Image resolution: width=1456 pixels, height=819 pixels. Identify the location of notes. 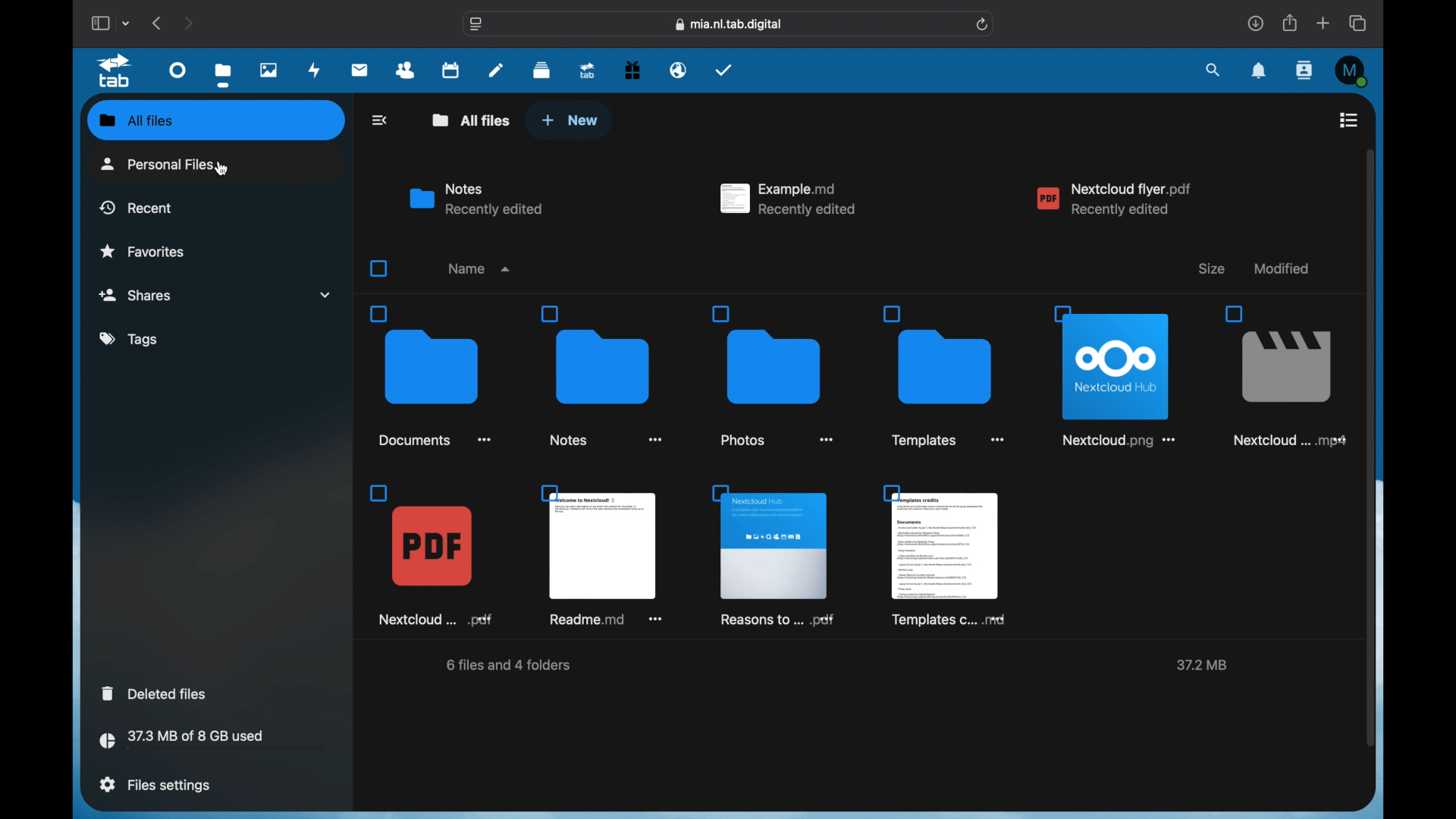
(496, 69).